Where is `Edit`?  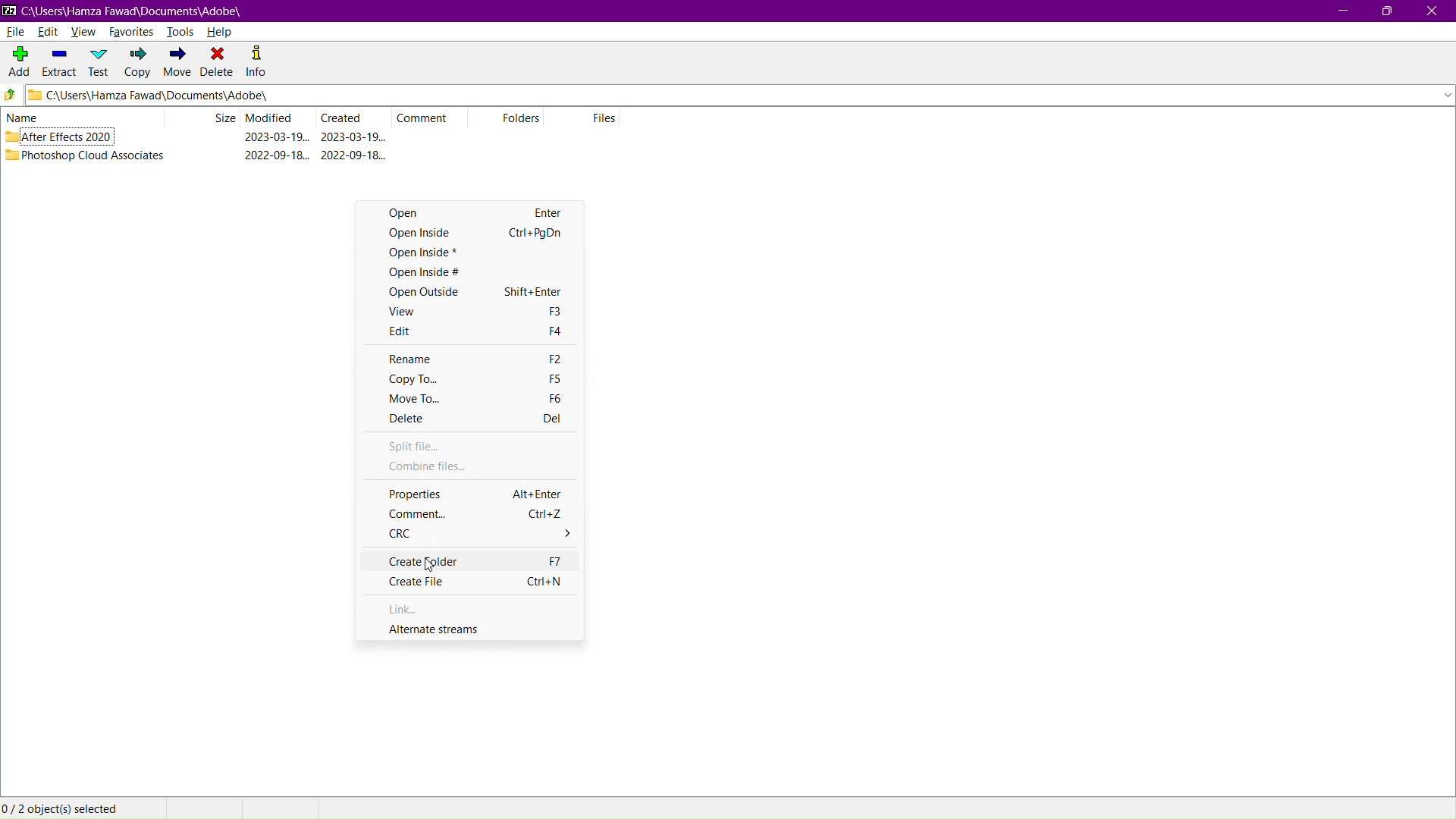 Edit is located at coordinates (466, 331).